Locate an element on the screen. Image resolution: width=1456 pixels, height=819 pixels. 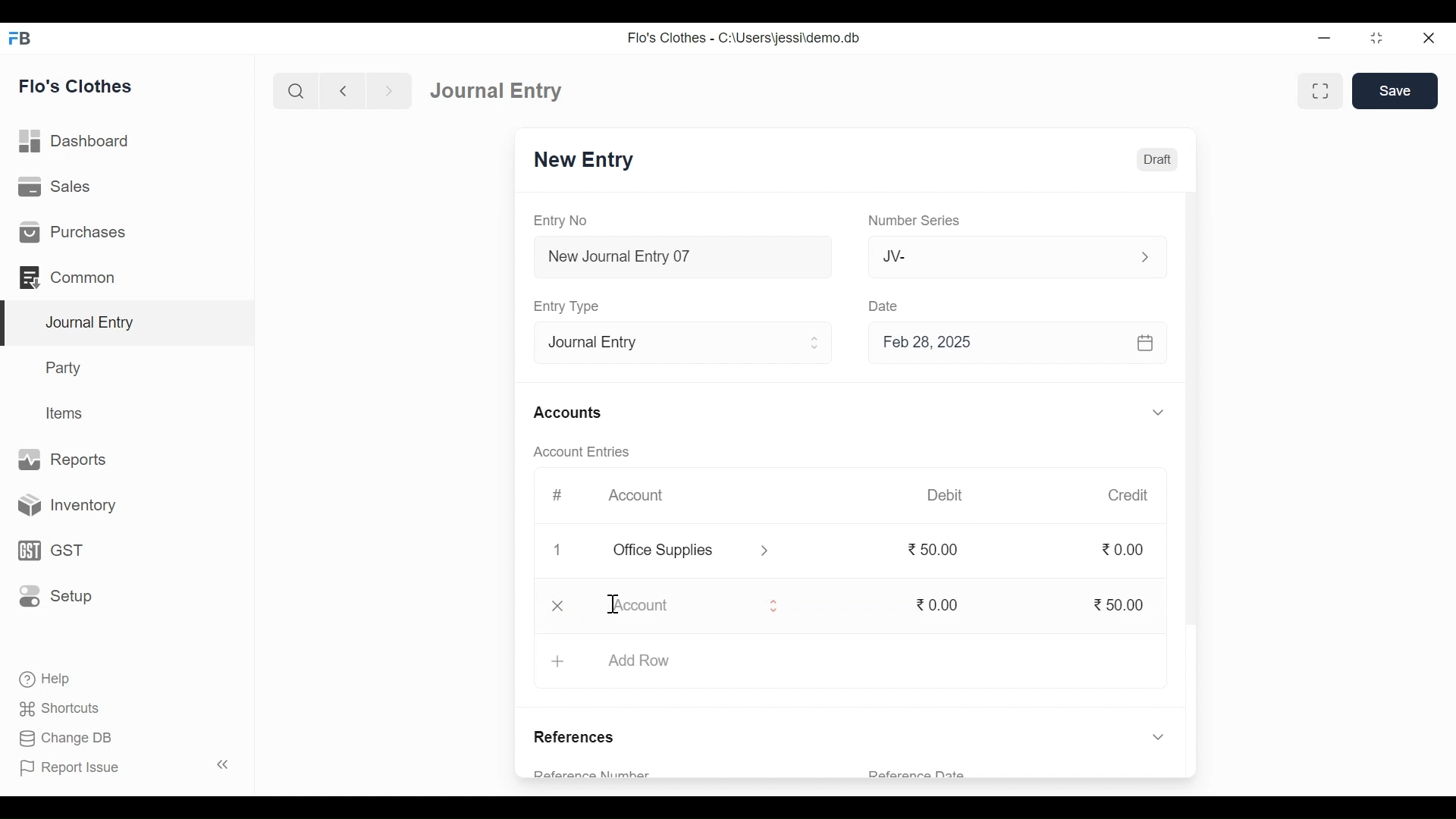
Change DB is located at coordinates (64, 736).